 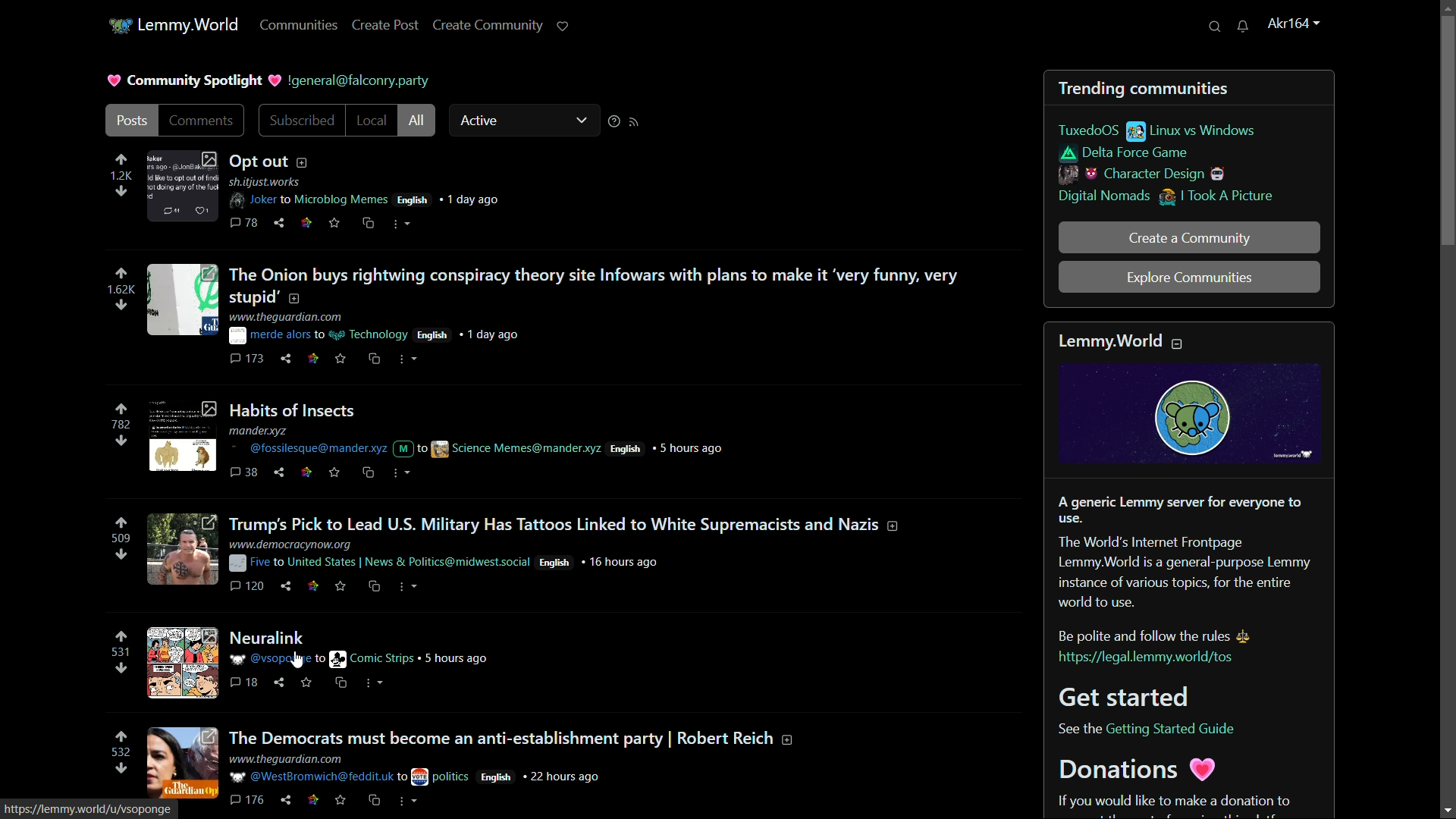 What do you see at coordinates (360, 647) in the screenshot?
I see `post-5` at bounding box center [360, 647].